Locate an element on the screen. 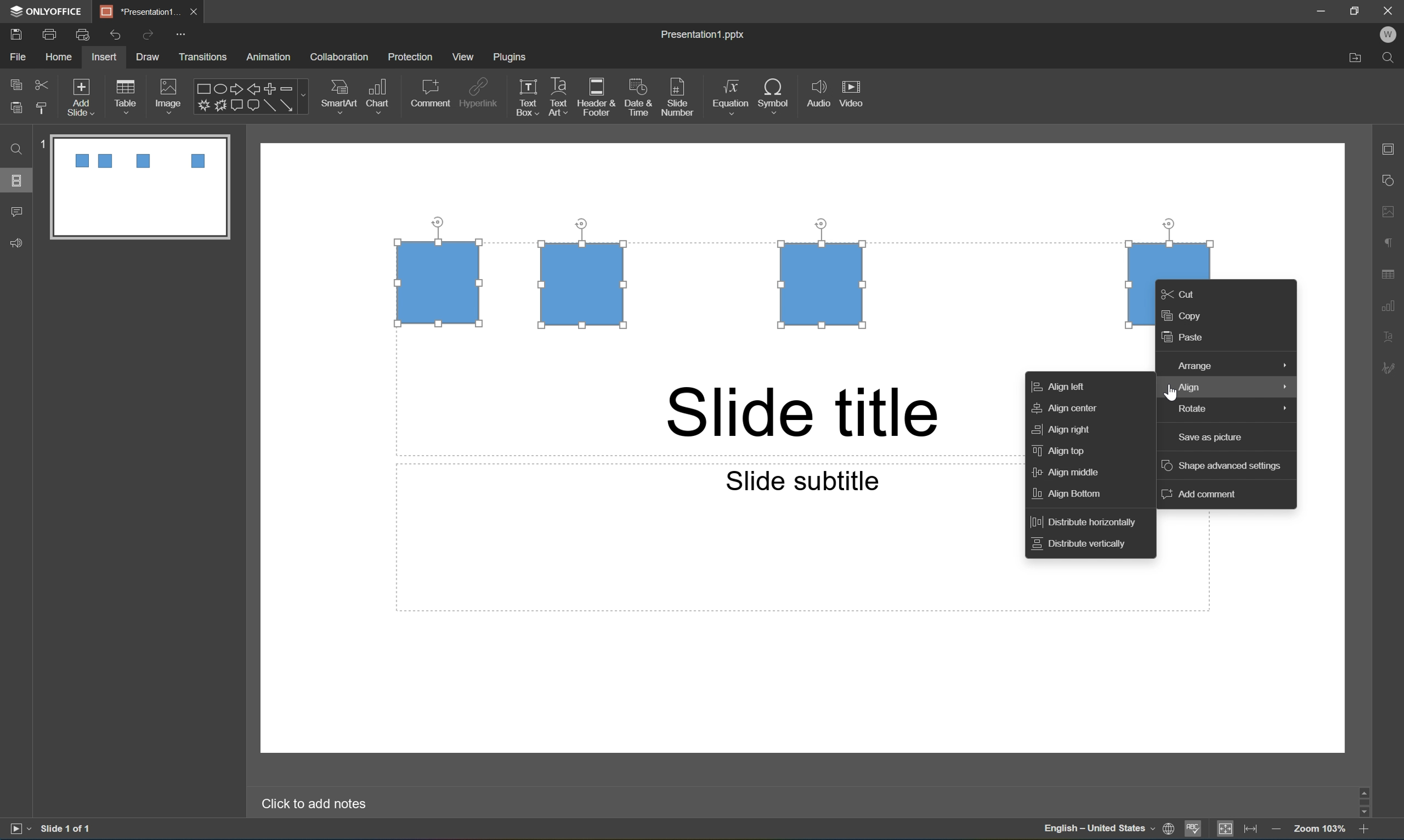 This screenshot has width=1404, height=840. Click to add notes is located at coordinates (318, 804).